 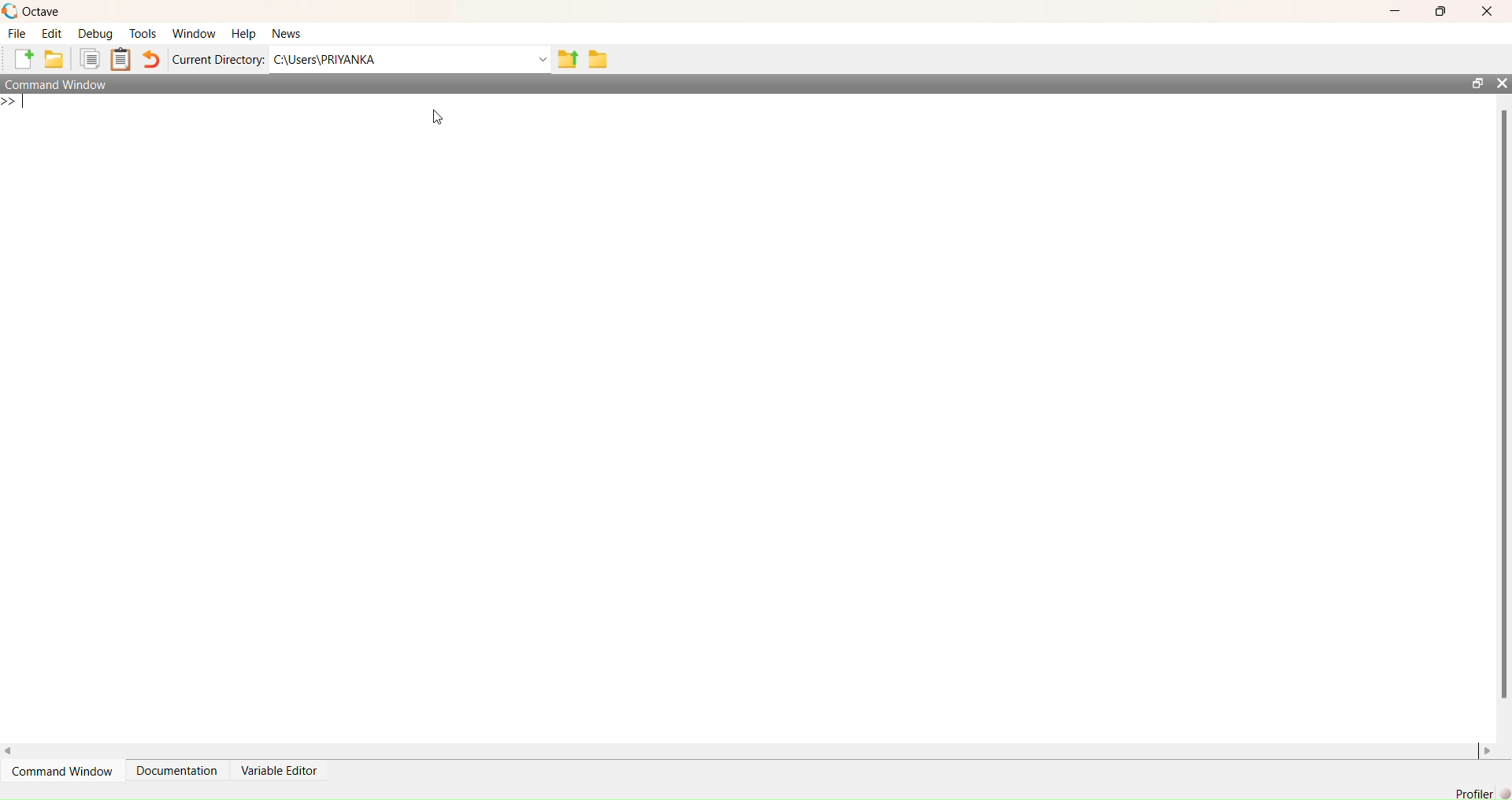 What do you see at coordinates (65, 771) in the screenshot?
I see `command window` at bounding box center [65, 771].